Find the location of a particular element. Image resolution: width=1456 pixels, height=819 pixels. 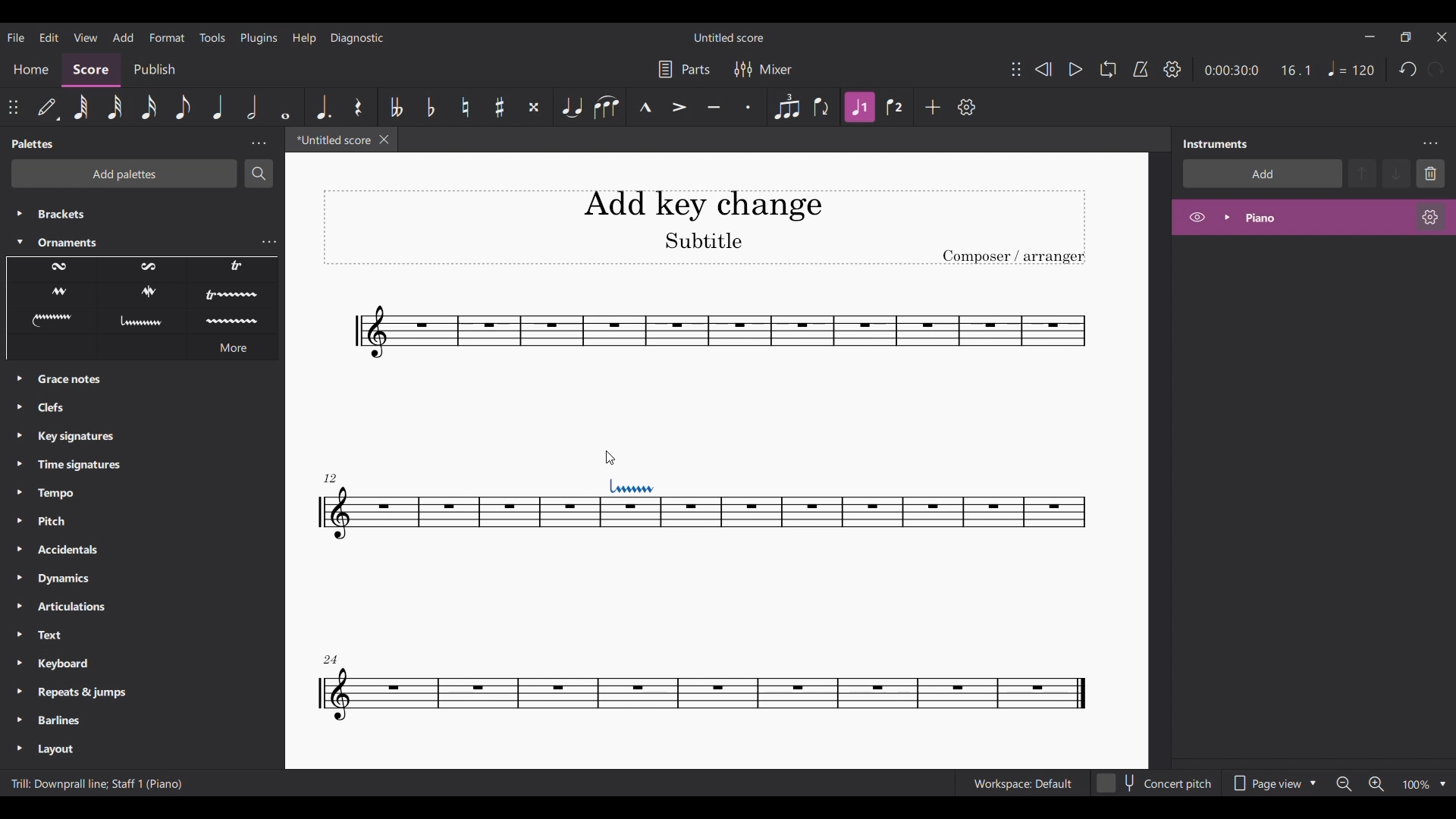

Current tab is located at coordinates (331, 140).